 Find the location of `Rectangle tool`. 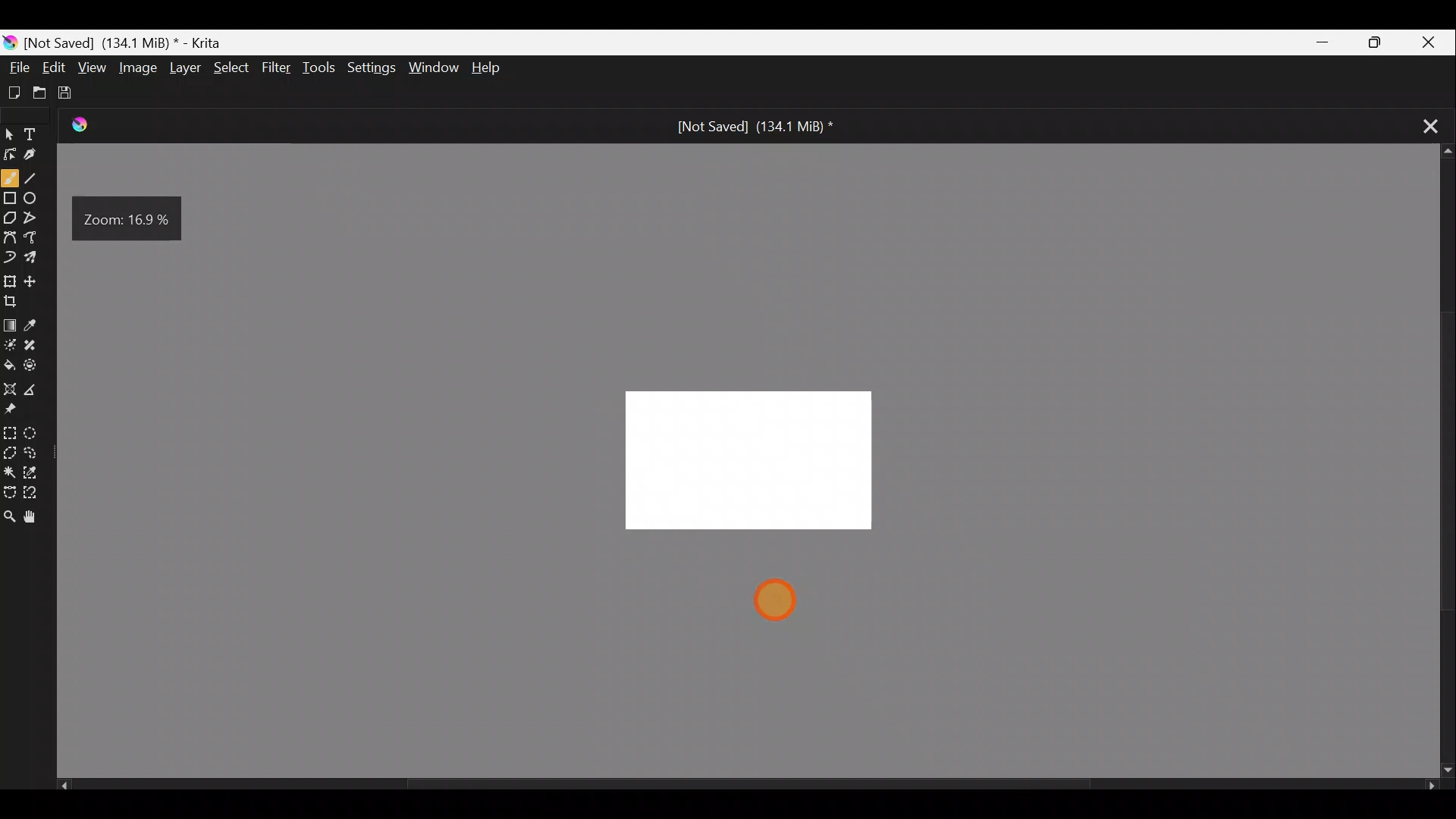

Rectangle tool is located at coordinates (11, 200).